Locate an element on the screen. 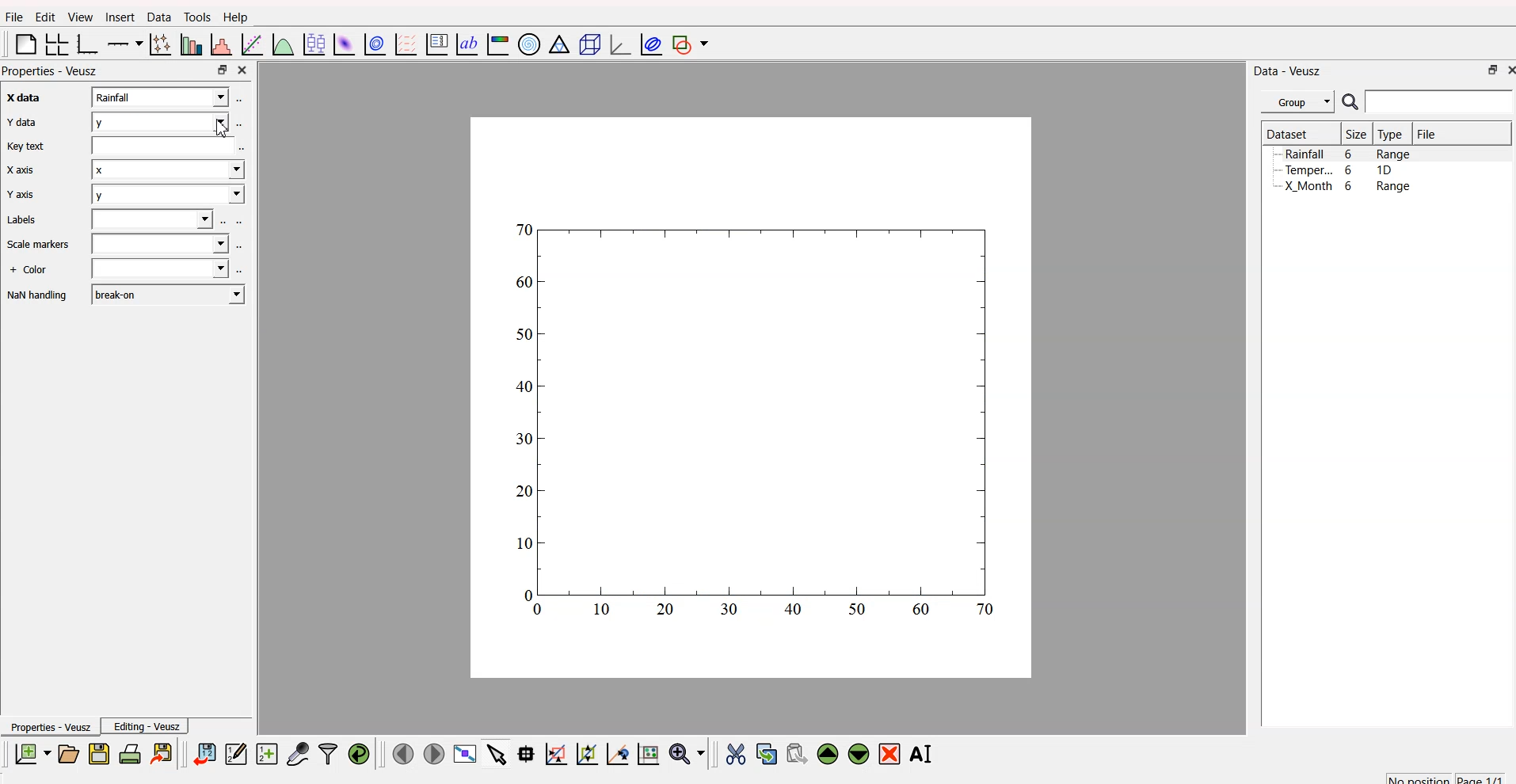 This screenshot has width=1516, height=784. draw rectangle to zoom is located at coordinates (556, 753).